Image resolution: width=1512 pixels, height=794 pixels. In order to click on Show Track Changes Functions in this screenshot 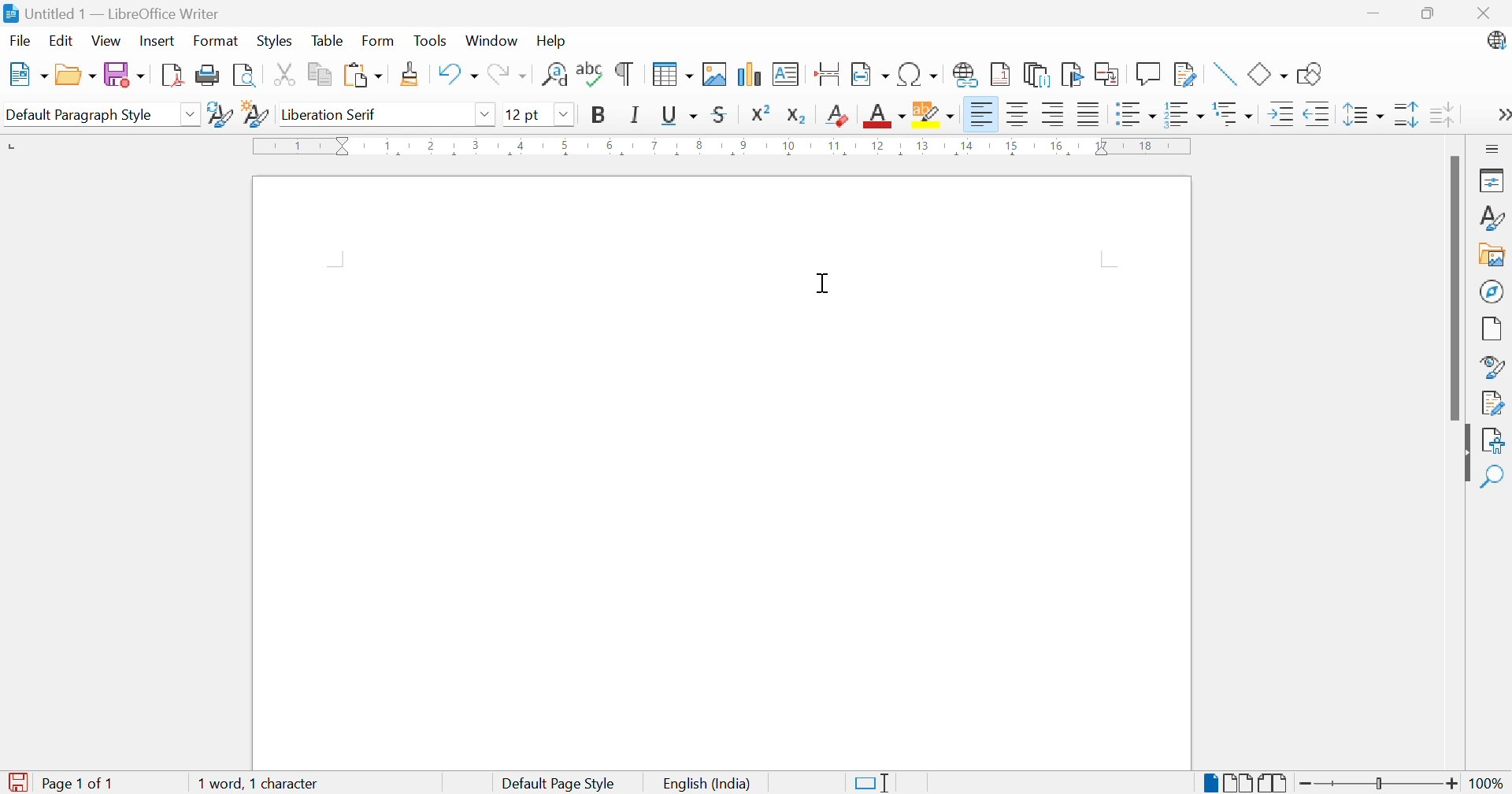, I will do `click(1183, 74)`.